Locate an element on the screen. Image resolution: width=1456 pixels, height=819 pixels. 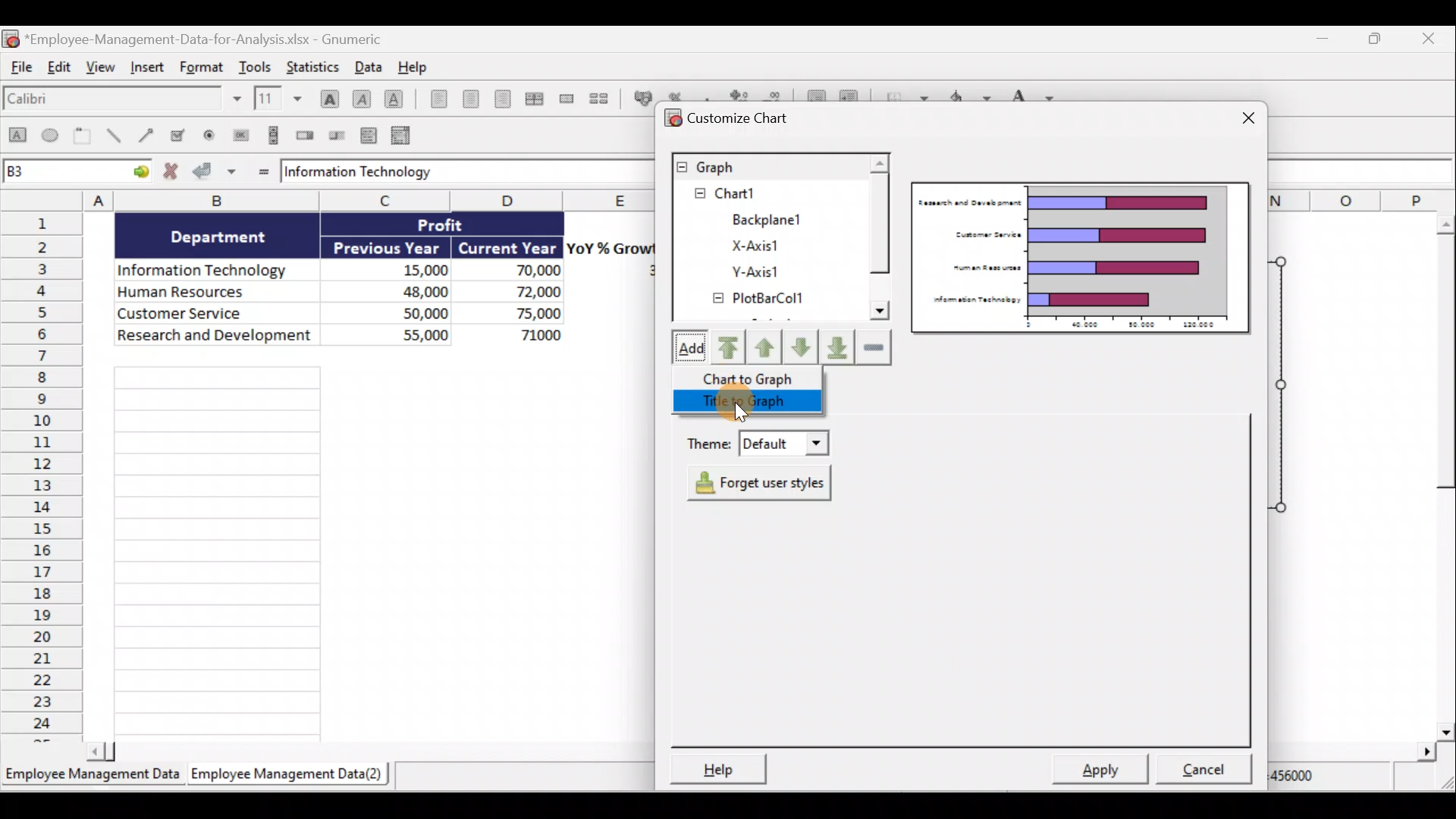
Insert is located at coordinates (149, 72).